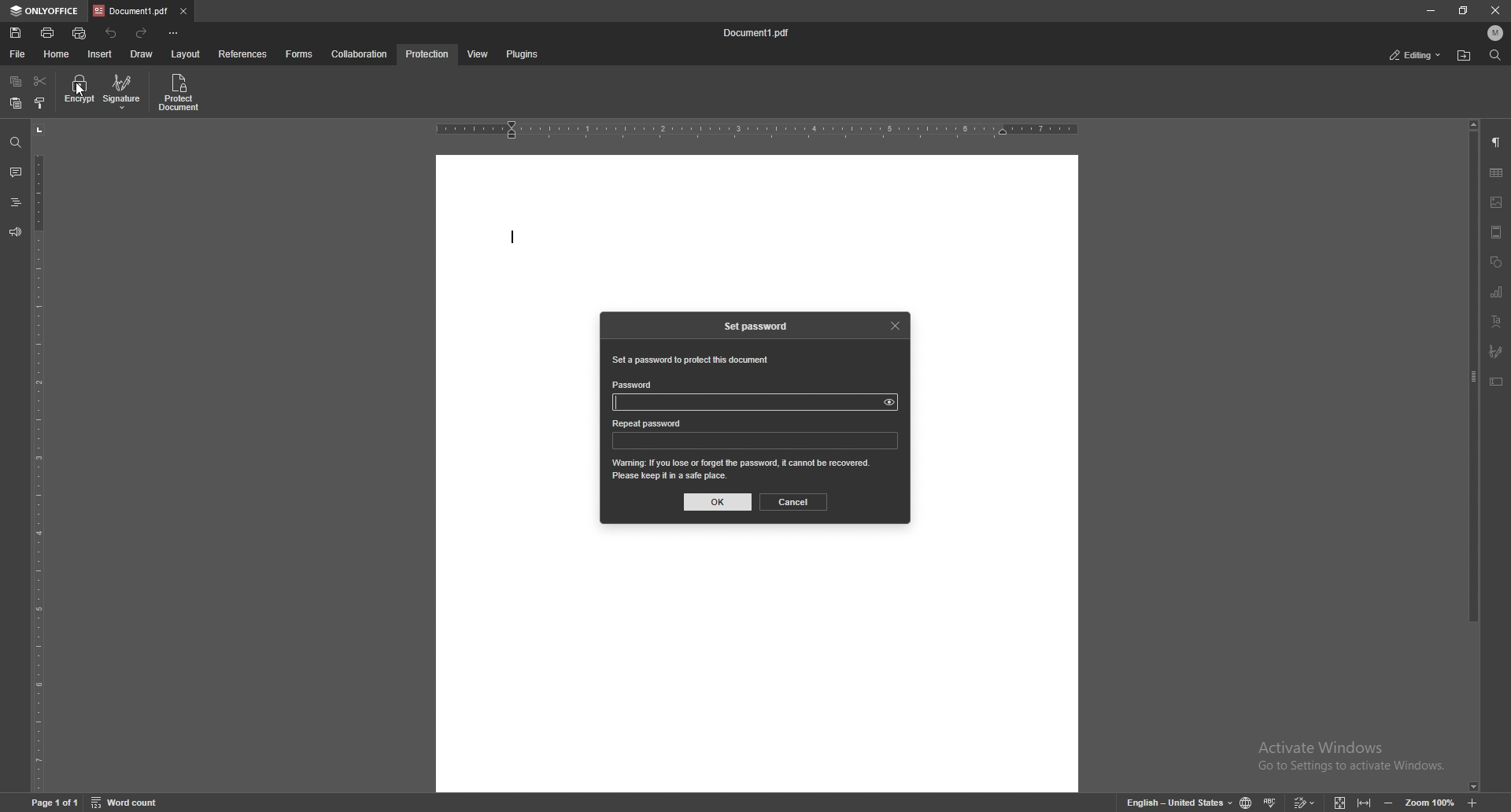 The image size is (1511, 812). Describe the element at coordinates (1391, 801) in the screenshot. I see `zoom out` at that location.